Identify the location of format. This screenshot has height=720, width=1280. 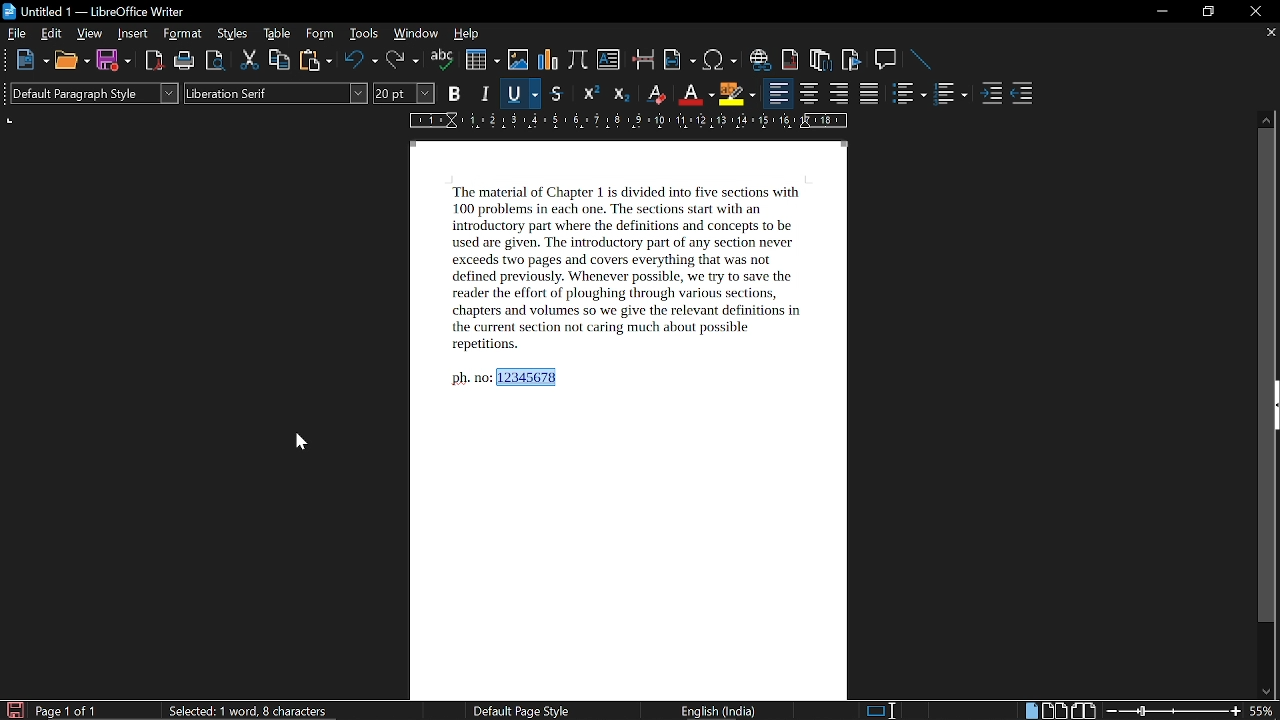
(180, 35).